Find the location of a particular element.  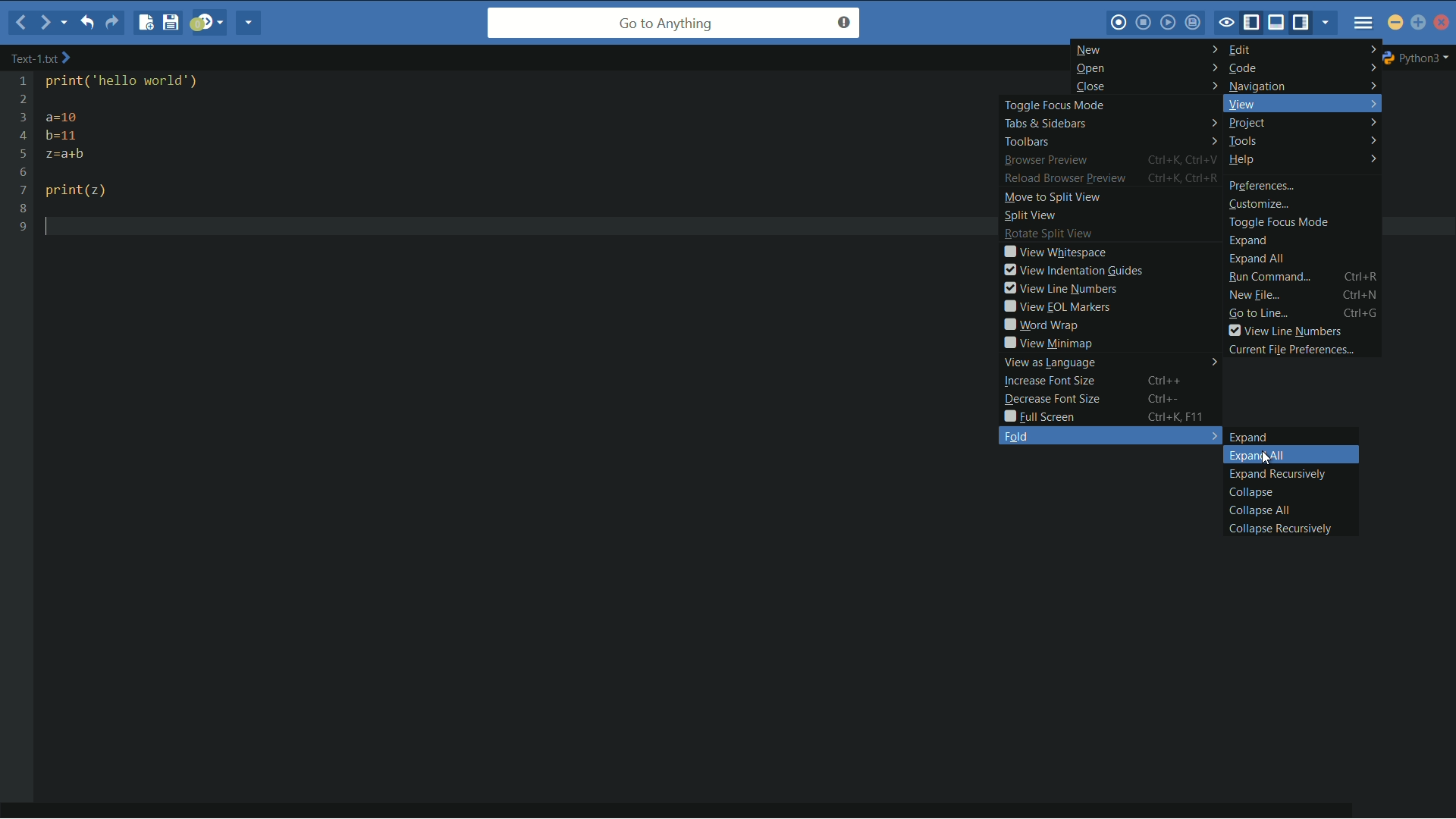

new file is located at coordinates (1254, 296).